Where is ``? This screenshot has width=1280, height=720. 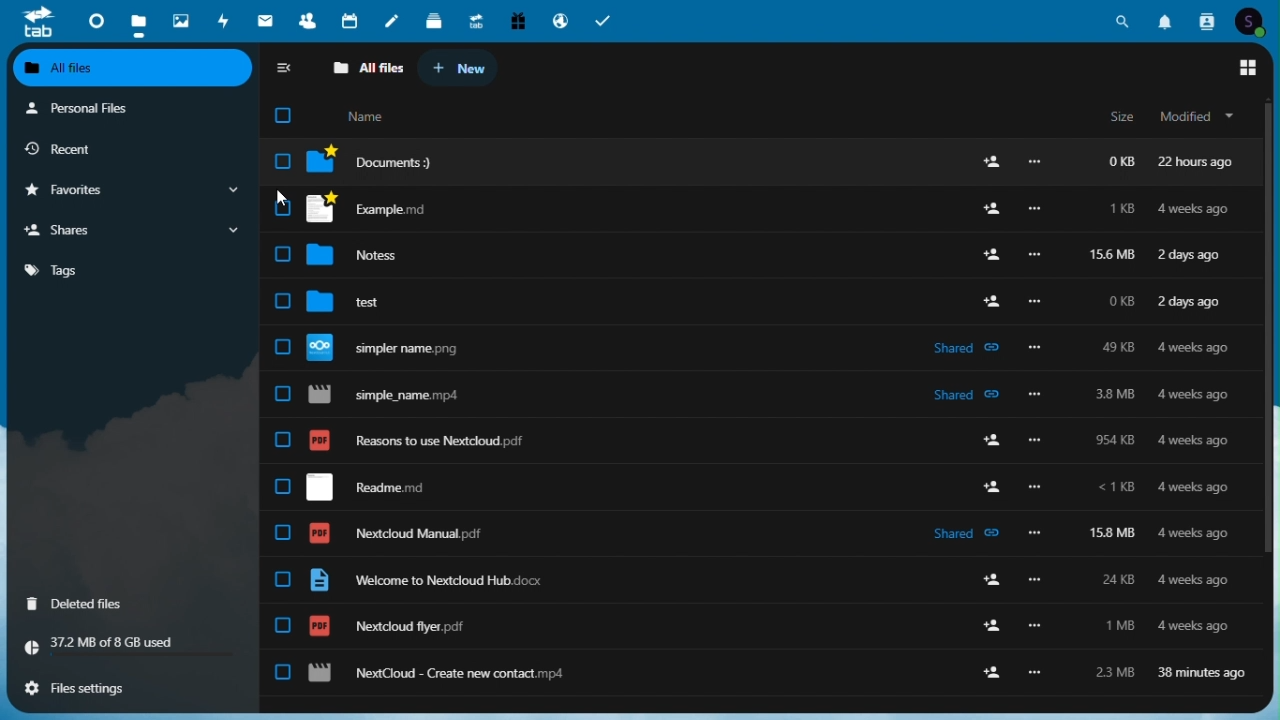
 is located at coordinates (1036, 164).